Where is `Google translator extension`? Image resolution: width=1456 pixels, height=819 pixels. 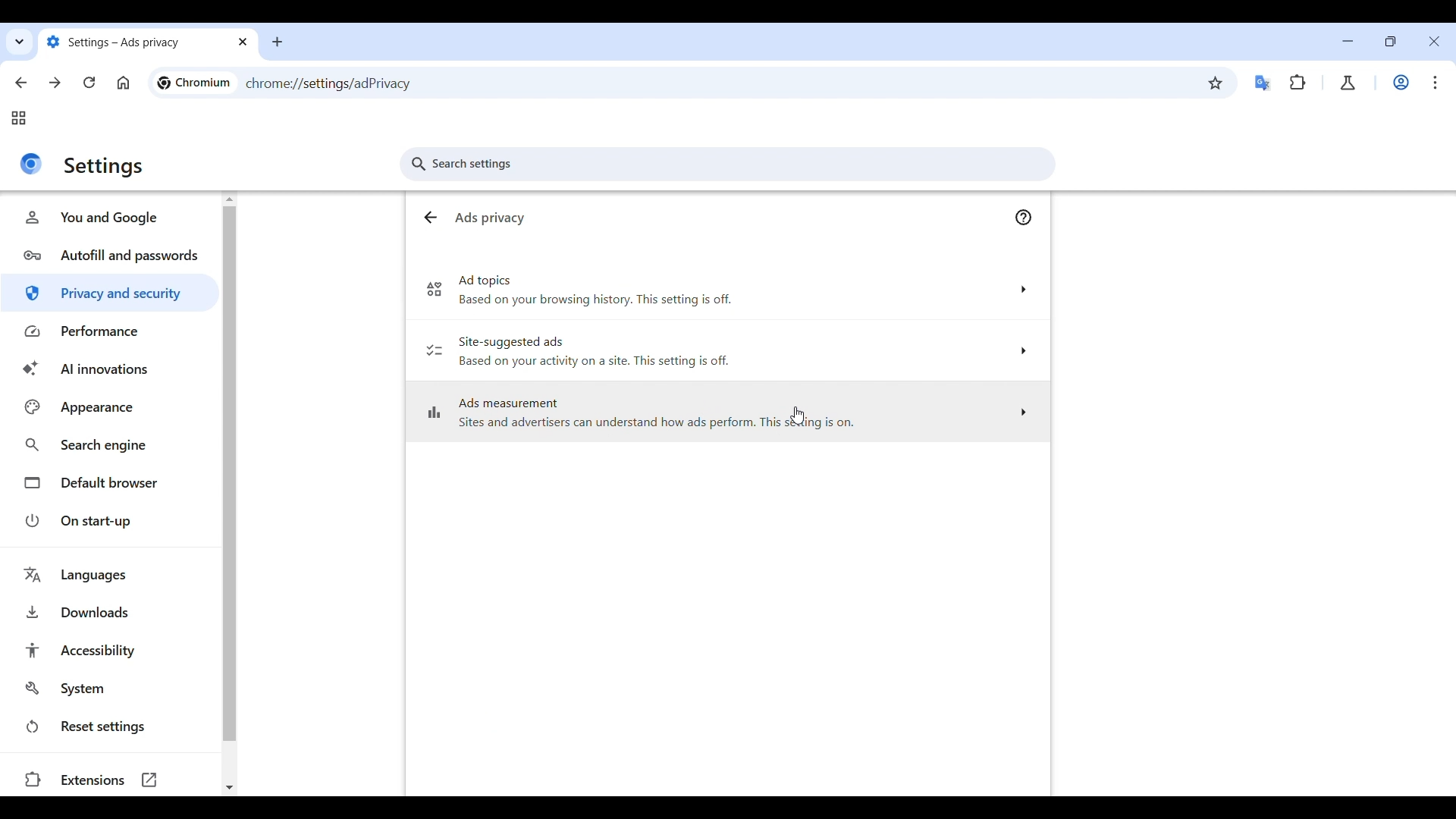
Google translator extension is located at coordinates (1263, 83).